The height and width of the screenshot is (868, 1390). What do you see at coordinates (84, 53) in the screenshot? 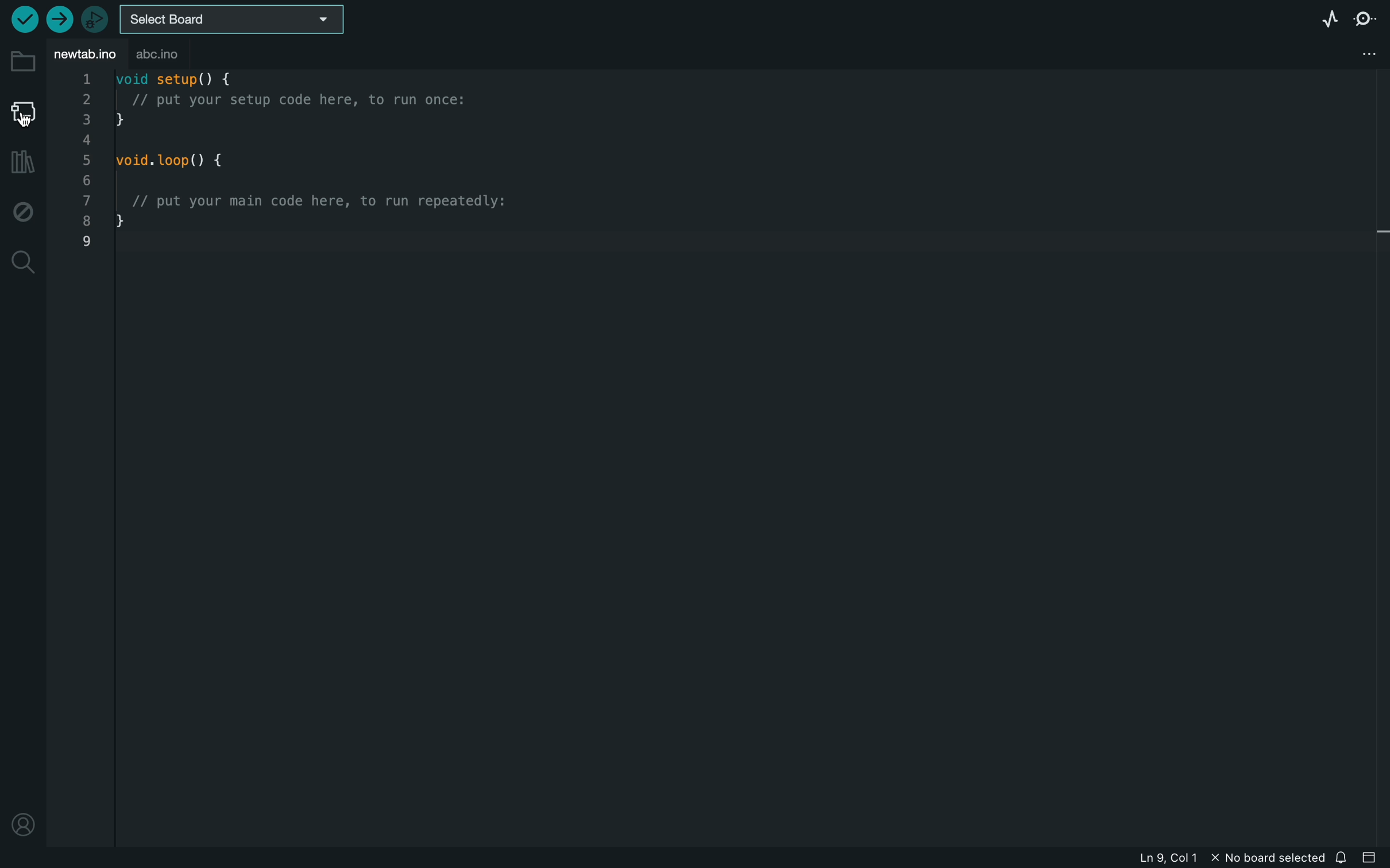
I see `file tab` at bounding box center [84, 53].